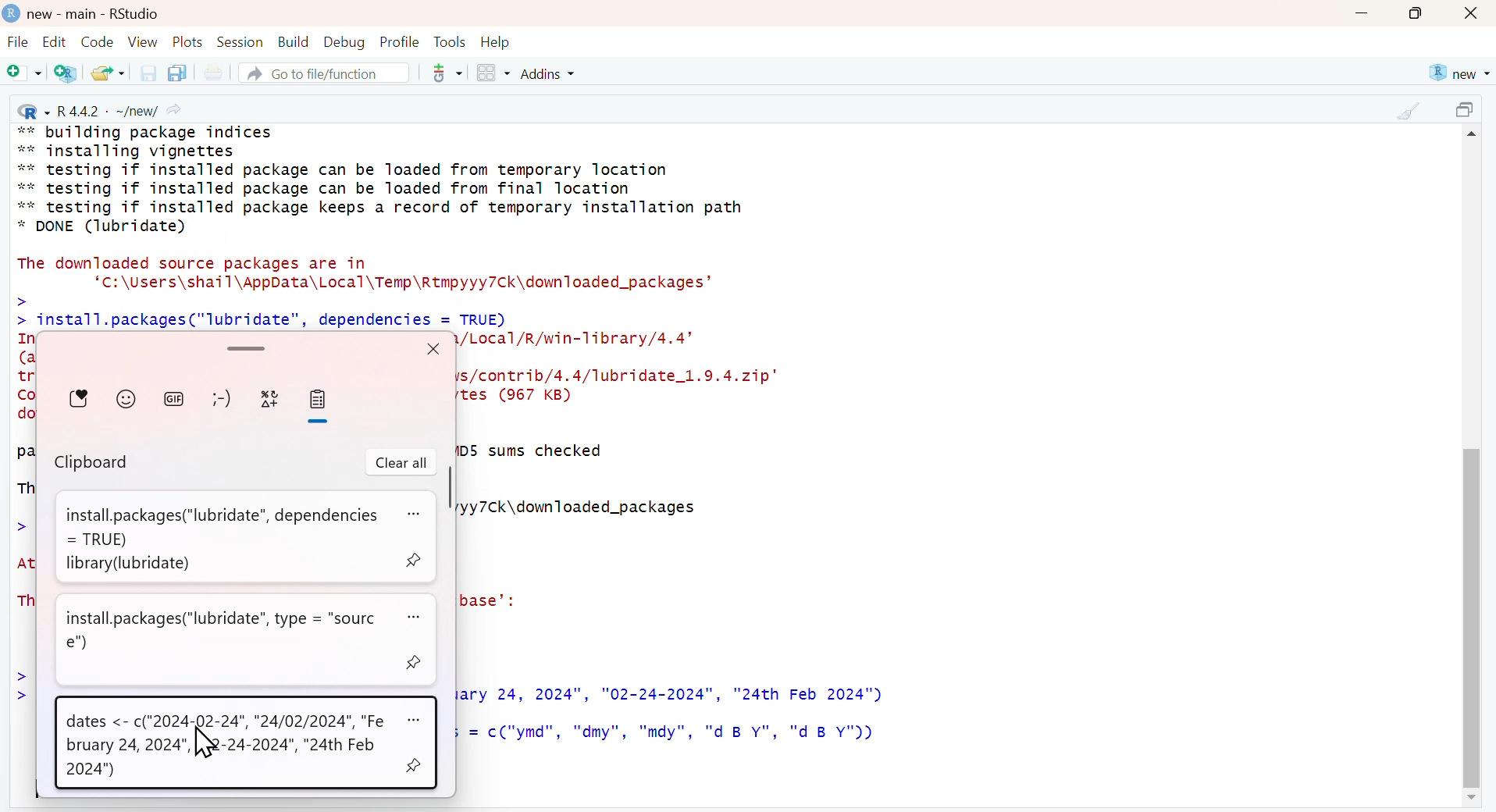 The width and height of the screenshot is (1496, 812). What do you see at coordinates (225, 630) in the screenshot?
I see `install.packages("lubridate”, type = "sourc
e")` at bounding box center [225, 630].